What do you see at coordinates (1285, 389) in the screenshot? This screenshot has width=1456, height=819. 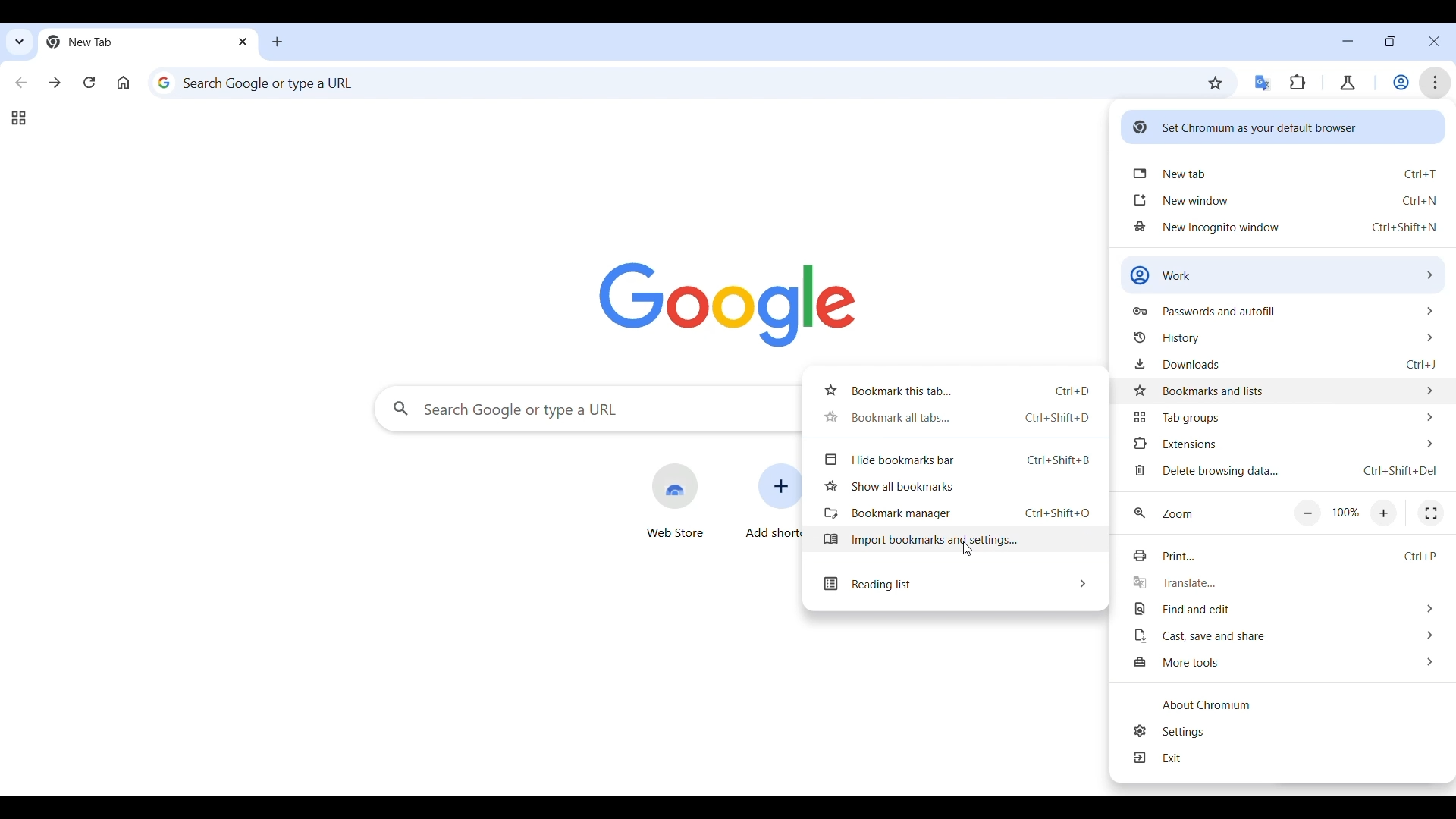 I see `Bookmarks and lists` at bounding box center [1285, 389].